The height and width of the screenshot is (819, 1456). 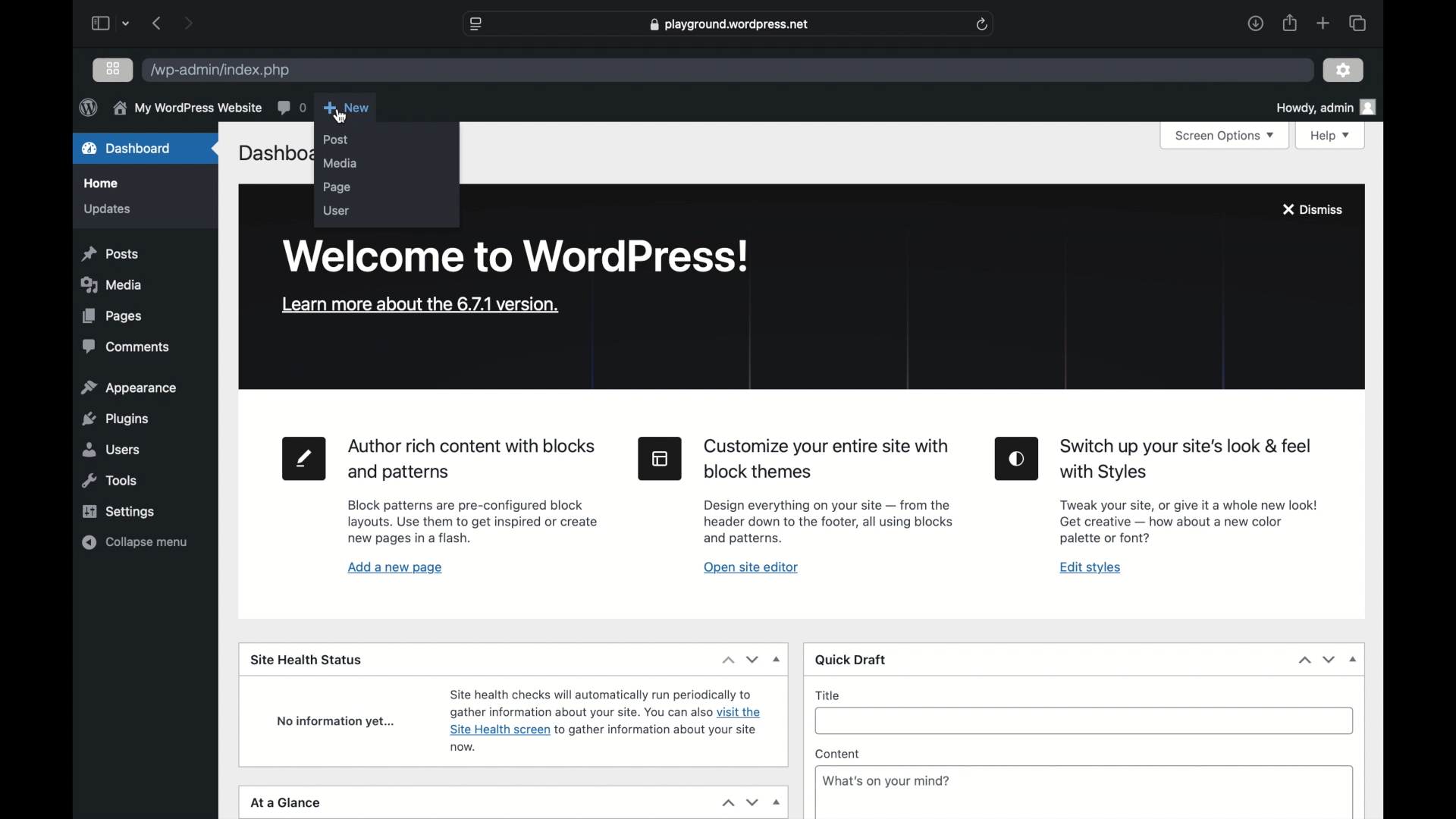 What do you see at coordinates (304, 460) in the screenshot?
I see `new page` at bounding box center [304, 460].